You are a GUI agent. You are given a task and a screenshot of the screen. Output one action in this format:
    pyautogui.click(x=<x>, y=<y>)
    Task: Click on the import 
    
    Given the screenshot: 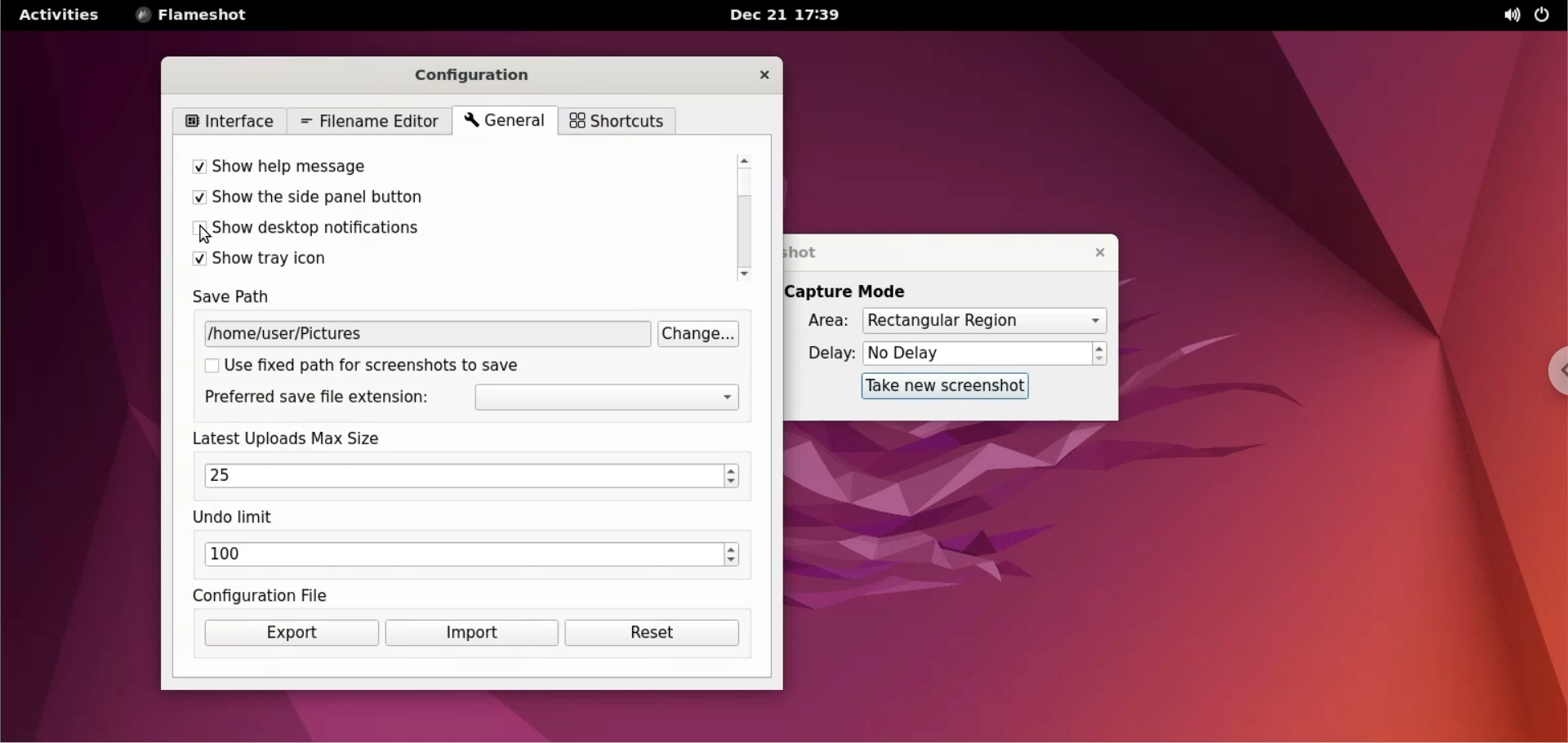 What is the action you would take?
    pyautogui.click(x=471, y=634)
    